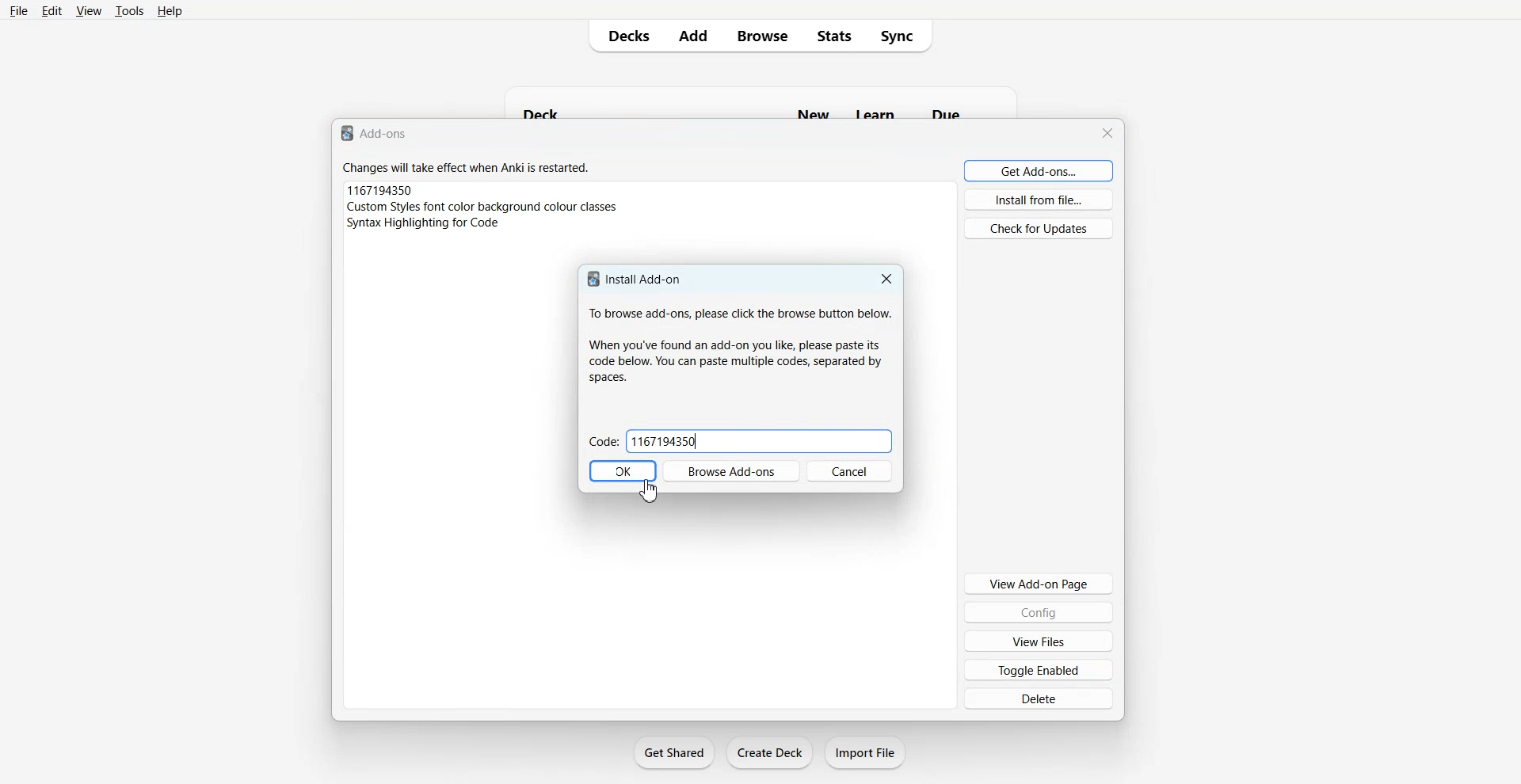 The height and width of the screenshot is (784, 1521). I want to click on Add-ons., so click(377, 133).